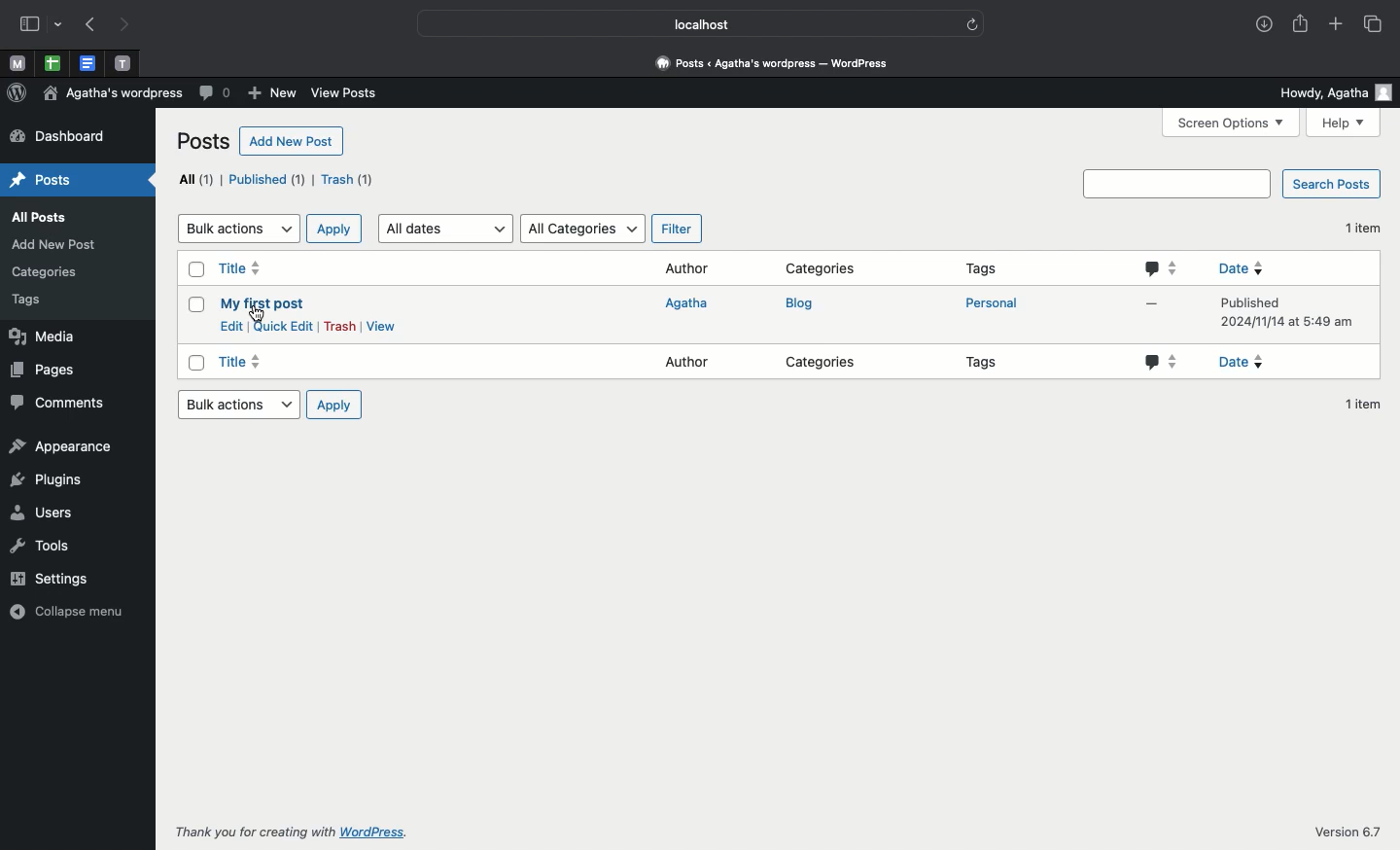 The height and width of the screenshot is (850, 1400). I want to click on Tags, so click(39, 301).